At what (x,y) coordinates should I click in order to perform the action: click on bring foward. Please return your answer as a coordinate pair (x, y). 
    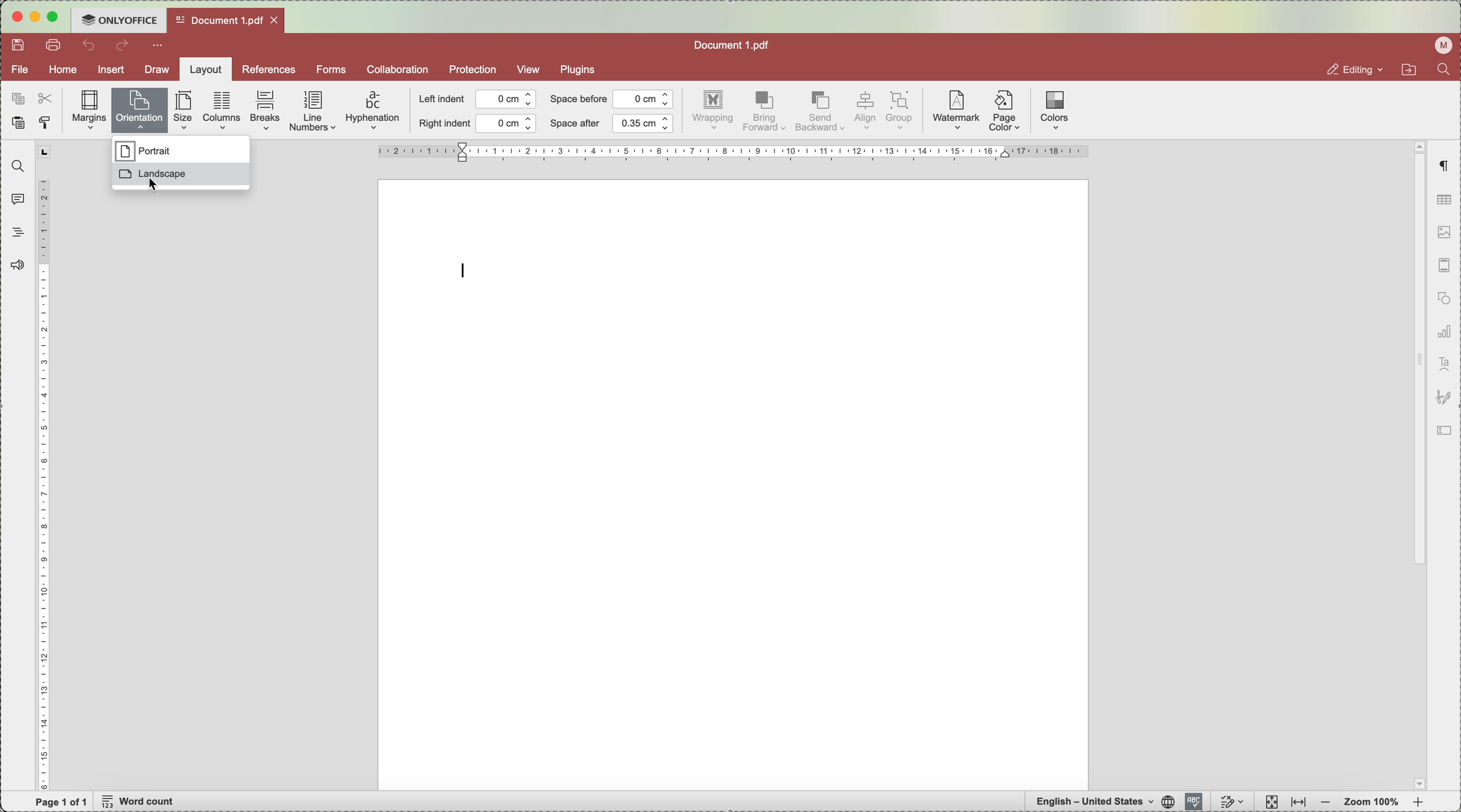
    Looking at the image, I should click on (765, 112).